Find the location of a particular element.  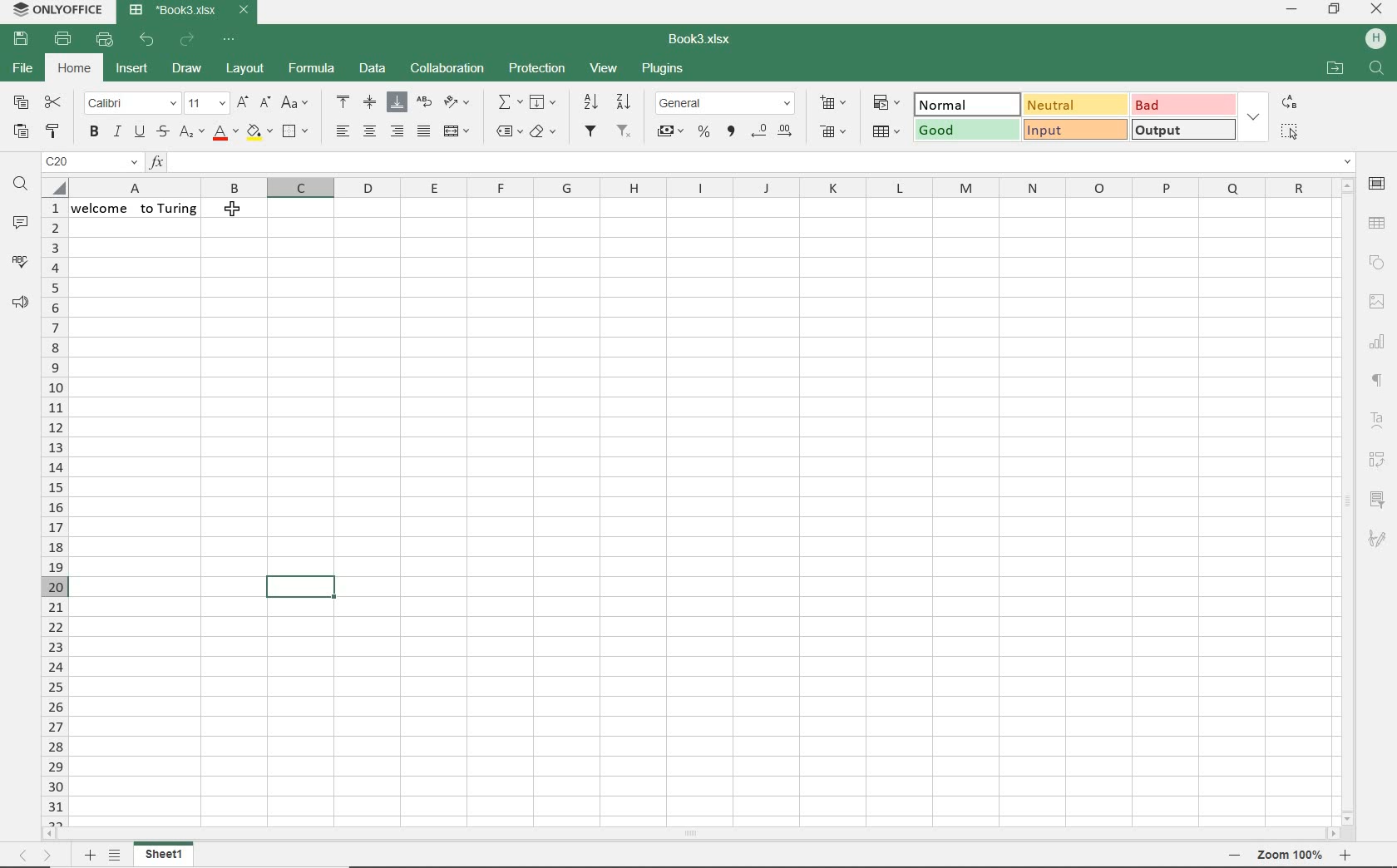

customize quick access toolbar is located at coordinates (230, 40).